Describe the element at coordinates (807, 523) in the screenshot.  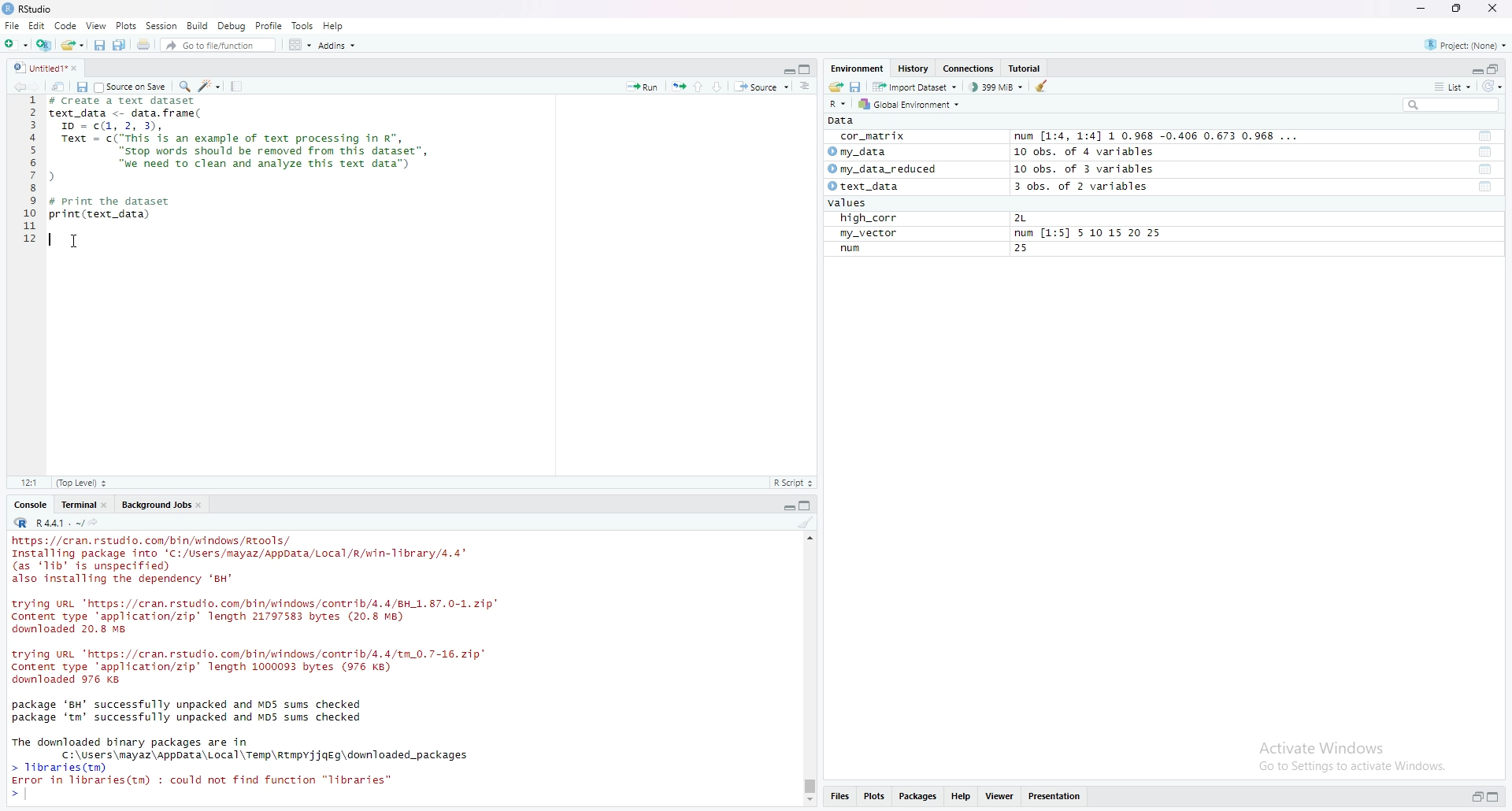
I see `clear console` at that location.